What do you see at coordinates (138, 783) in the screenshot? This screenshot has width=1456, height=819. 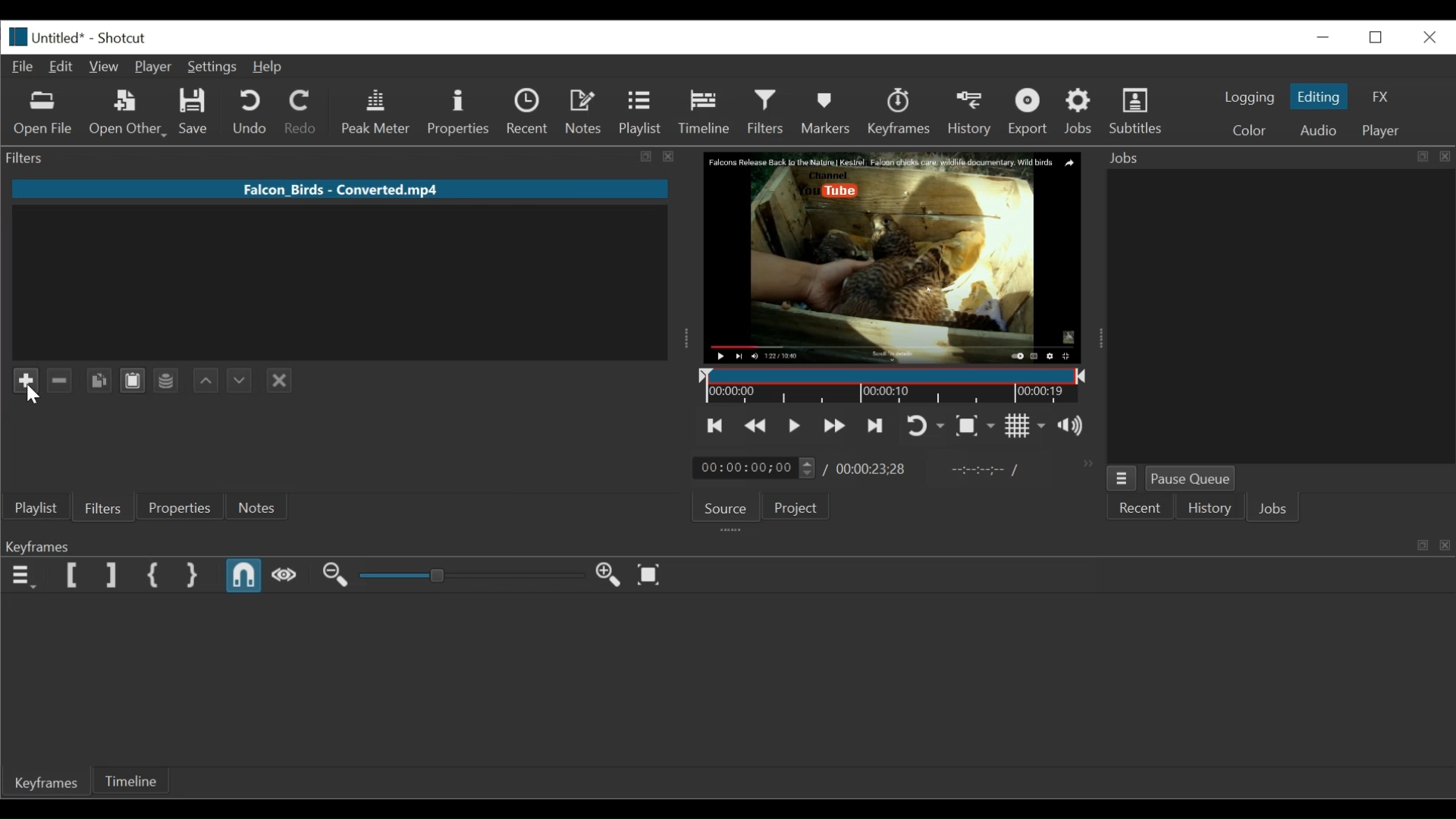 I see `Timeline` at bounding box center [138, 783].